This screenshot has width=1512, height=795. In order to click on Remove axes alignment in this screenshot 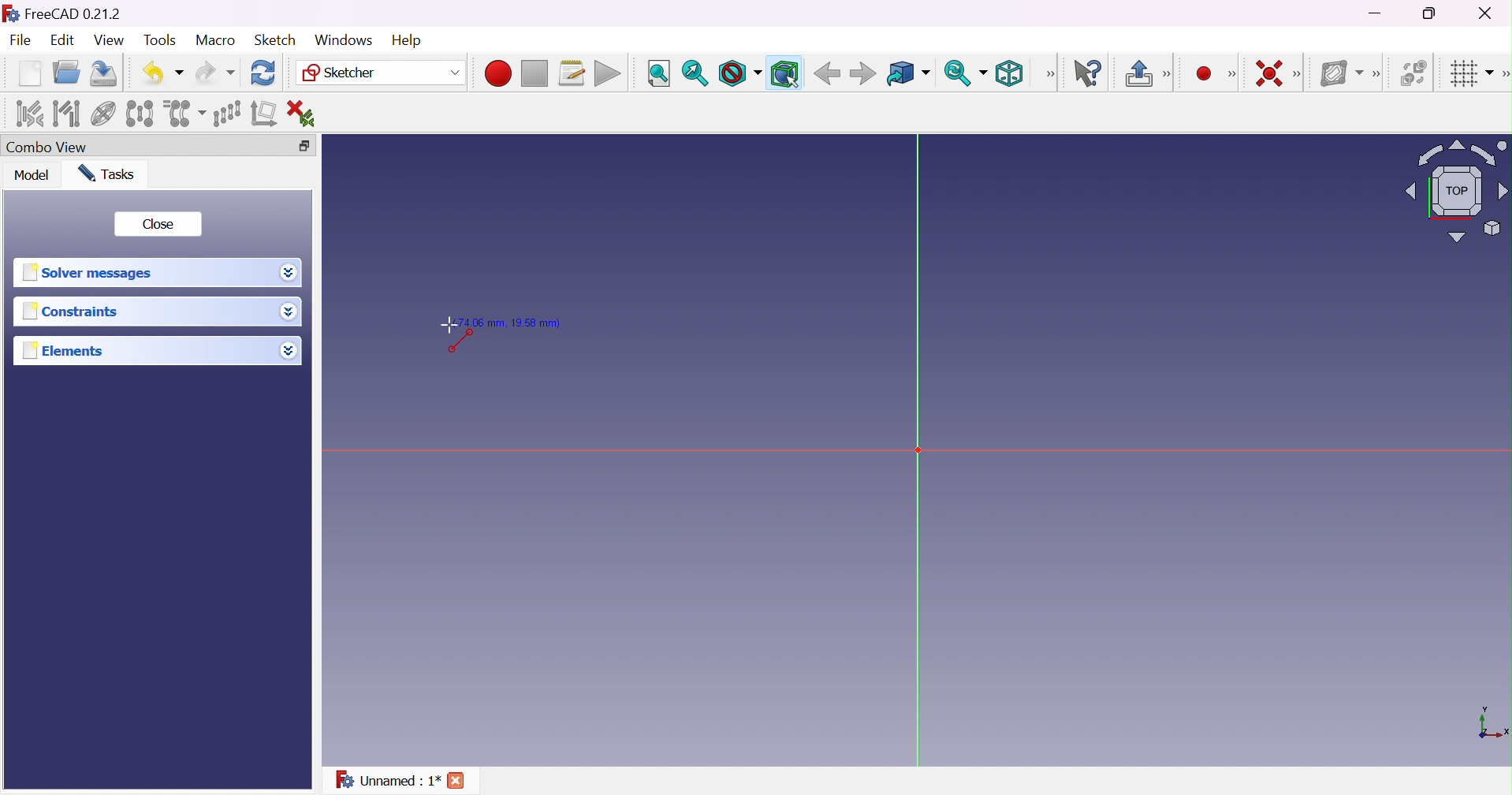, I will do `click(264, 115)`.